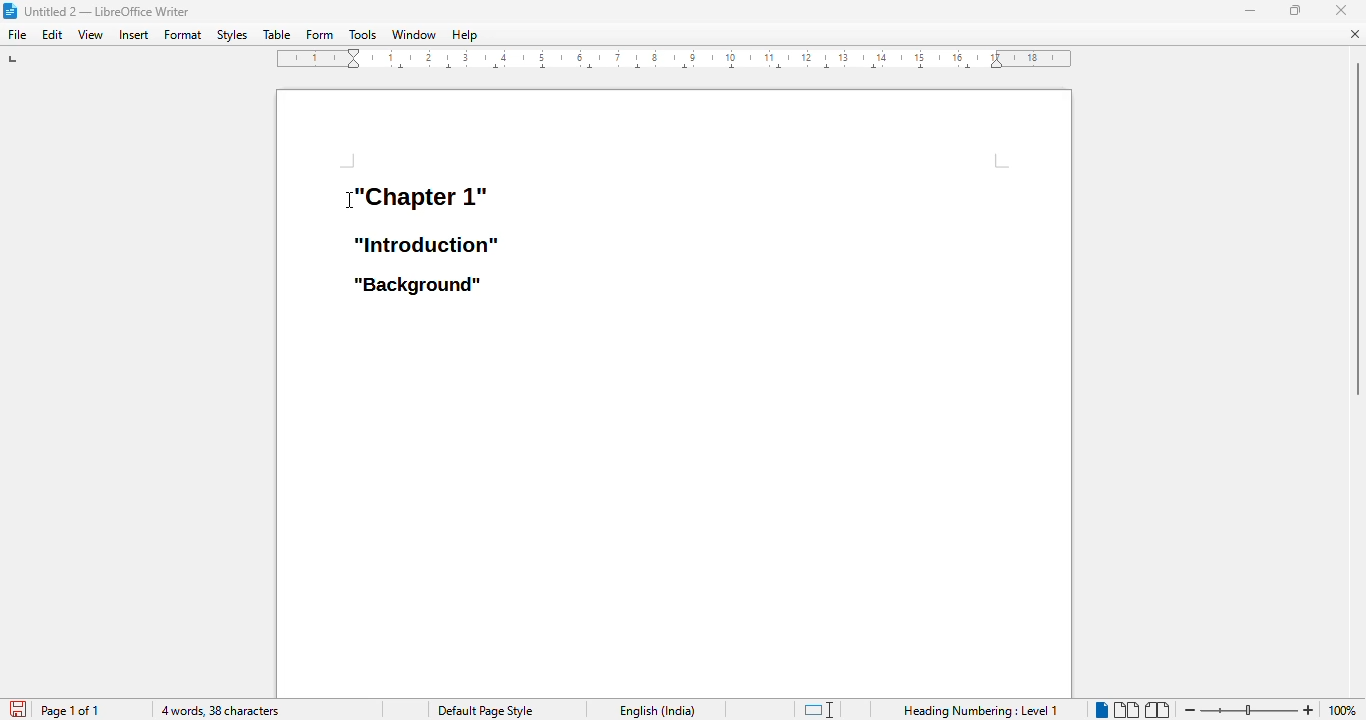 Image resolution: width=1366 pixels, height=720 pixels. What do you see at coordinates (675, 58) in the screenshot?
I see `ruler` at bounding box center [675, 58].